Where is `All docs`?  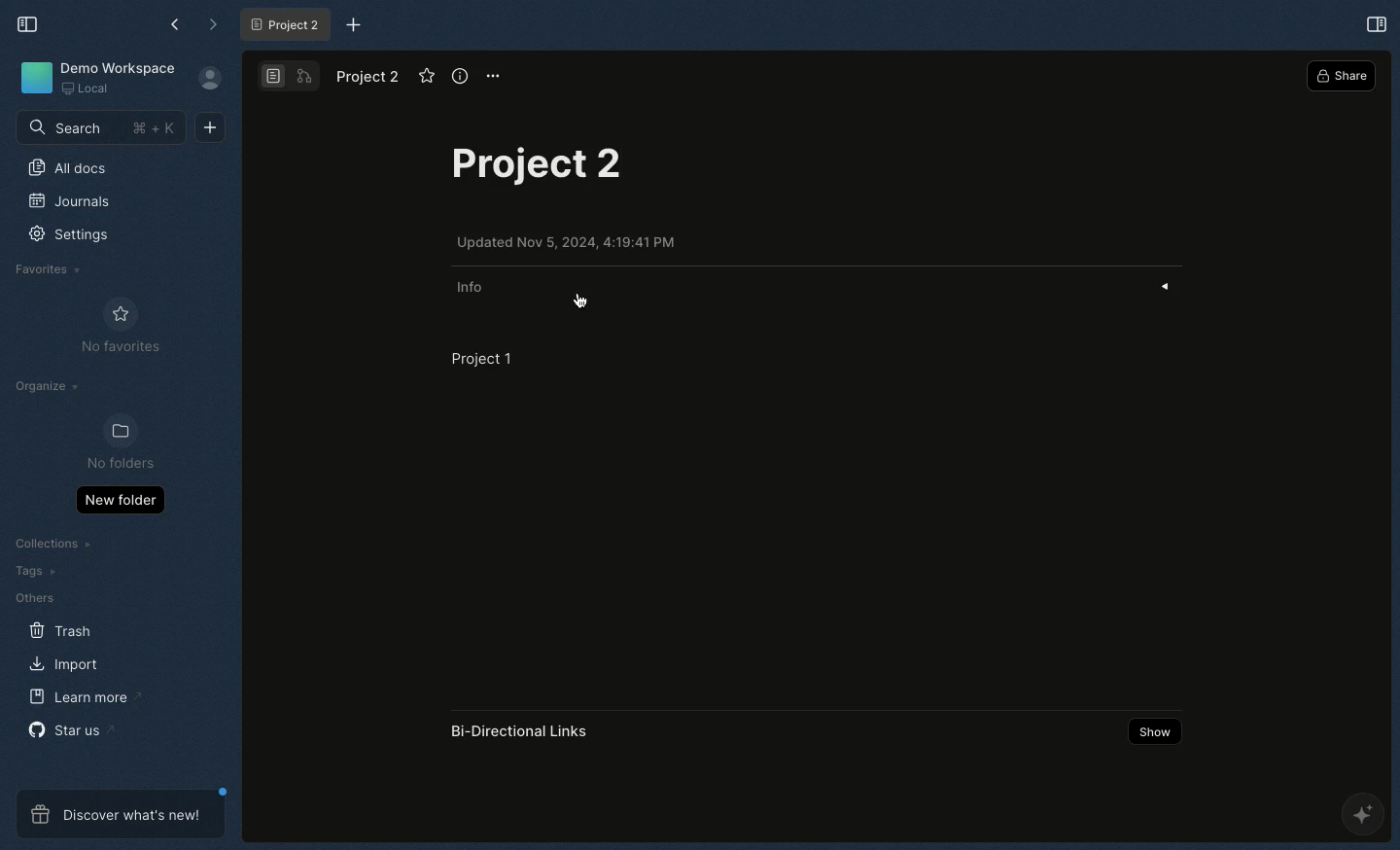 All docs is located at coordinates (74, 168).